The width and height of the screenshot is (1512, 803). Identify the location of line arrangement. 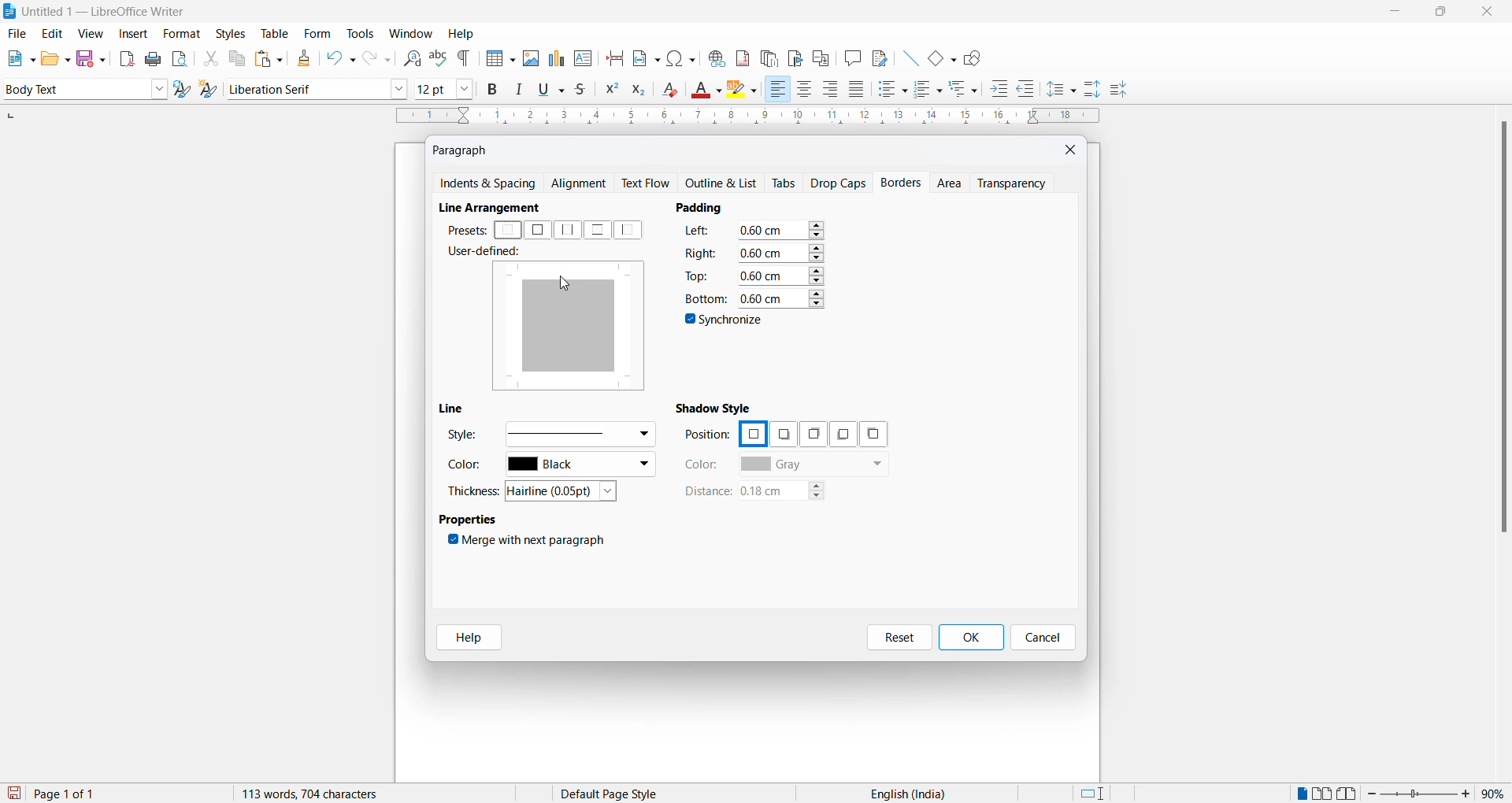
(498, 208).